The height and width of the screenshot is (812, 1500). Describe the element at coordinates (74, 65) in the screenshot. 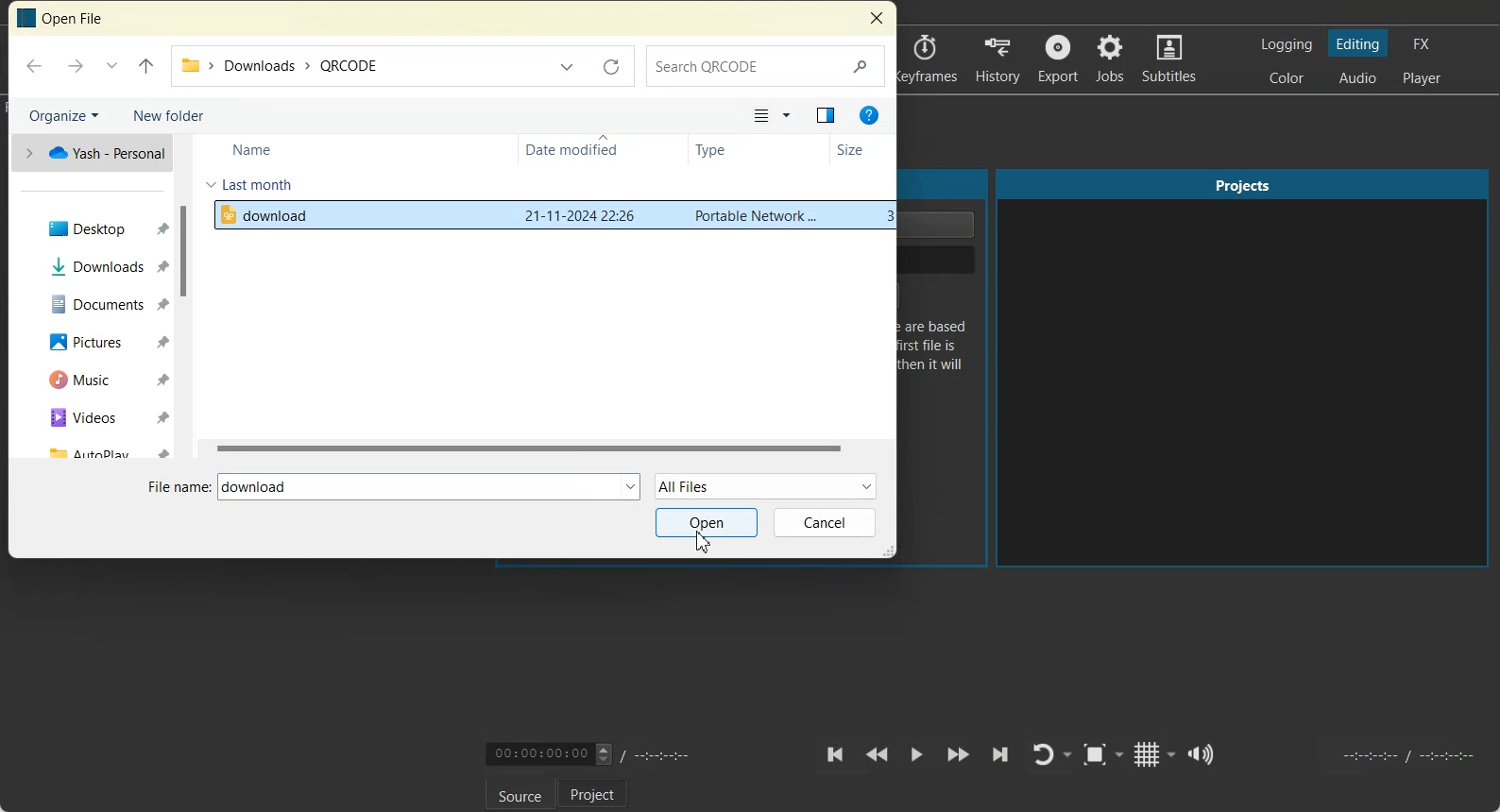

I see `Go Forward` at that location.